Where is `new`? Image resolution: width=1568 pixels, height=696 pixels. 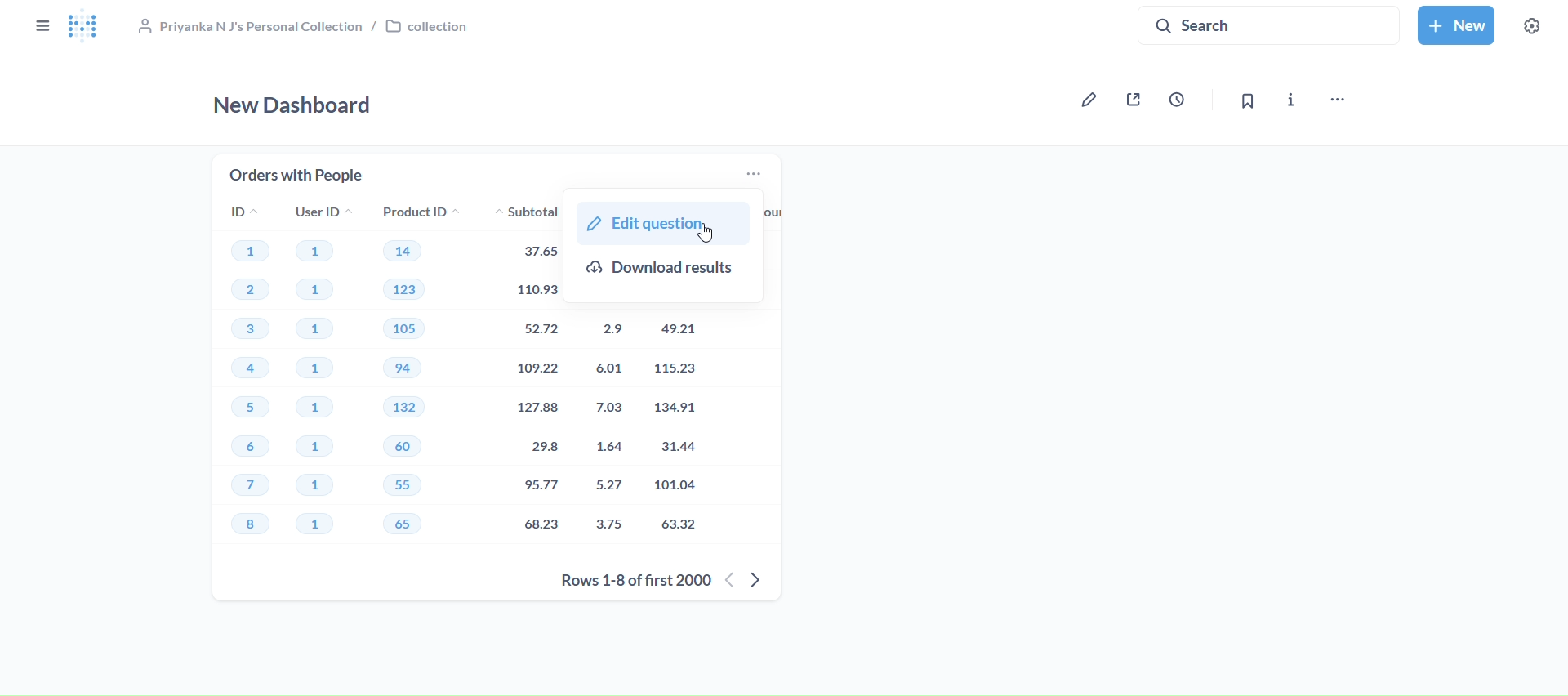
new is located at coordinates (1458, 26).